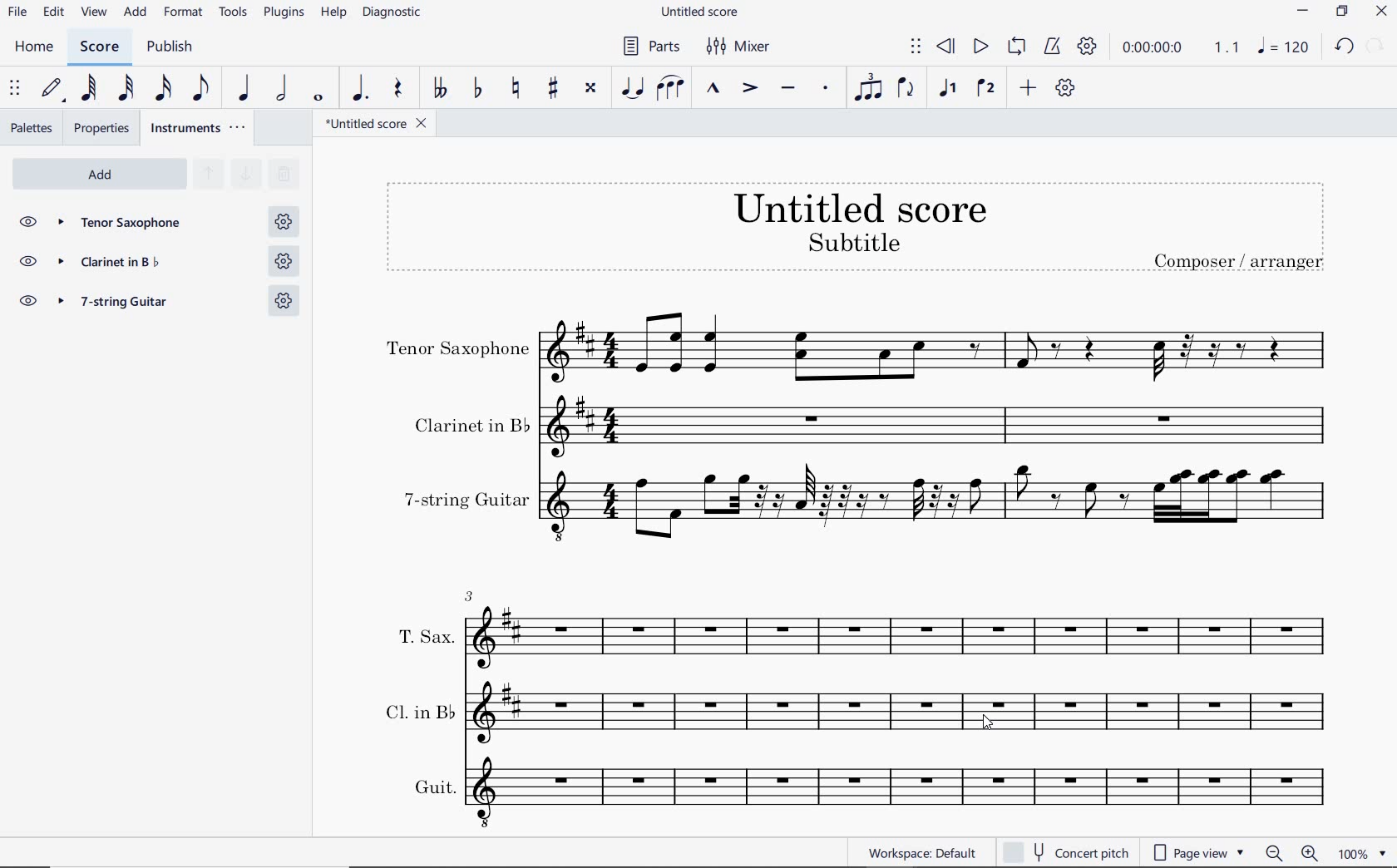 This screenshot has height=868, width=1397. What do you see at coordinates (481, 87) in the screenshot?
I see `TOGGLE FLAT` at bounding box center [481, 87].